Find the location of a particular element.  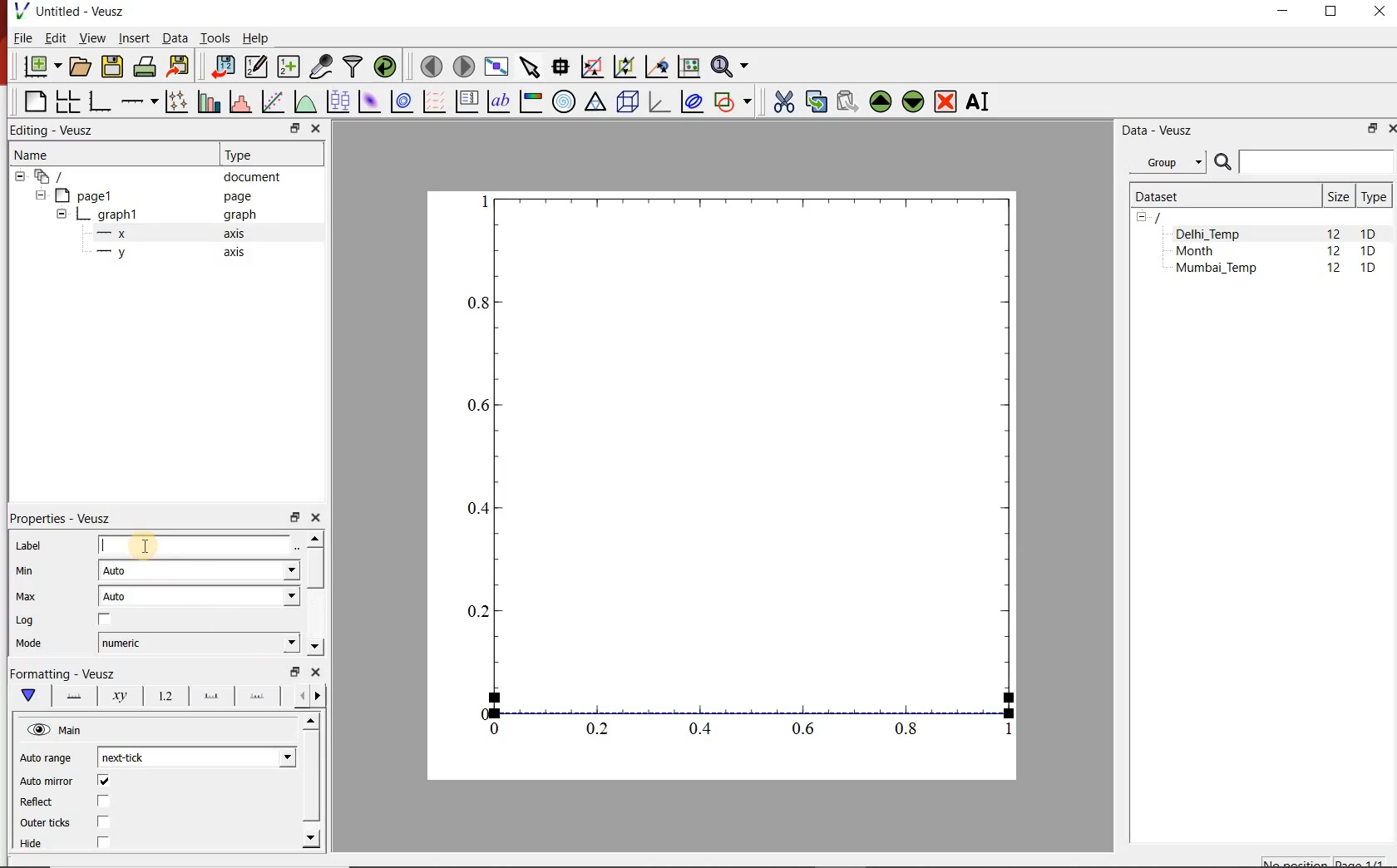

check/uncheck is located at coordinates (103, 781).